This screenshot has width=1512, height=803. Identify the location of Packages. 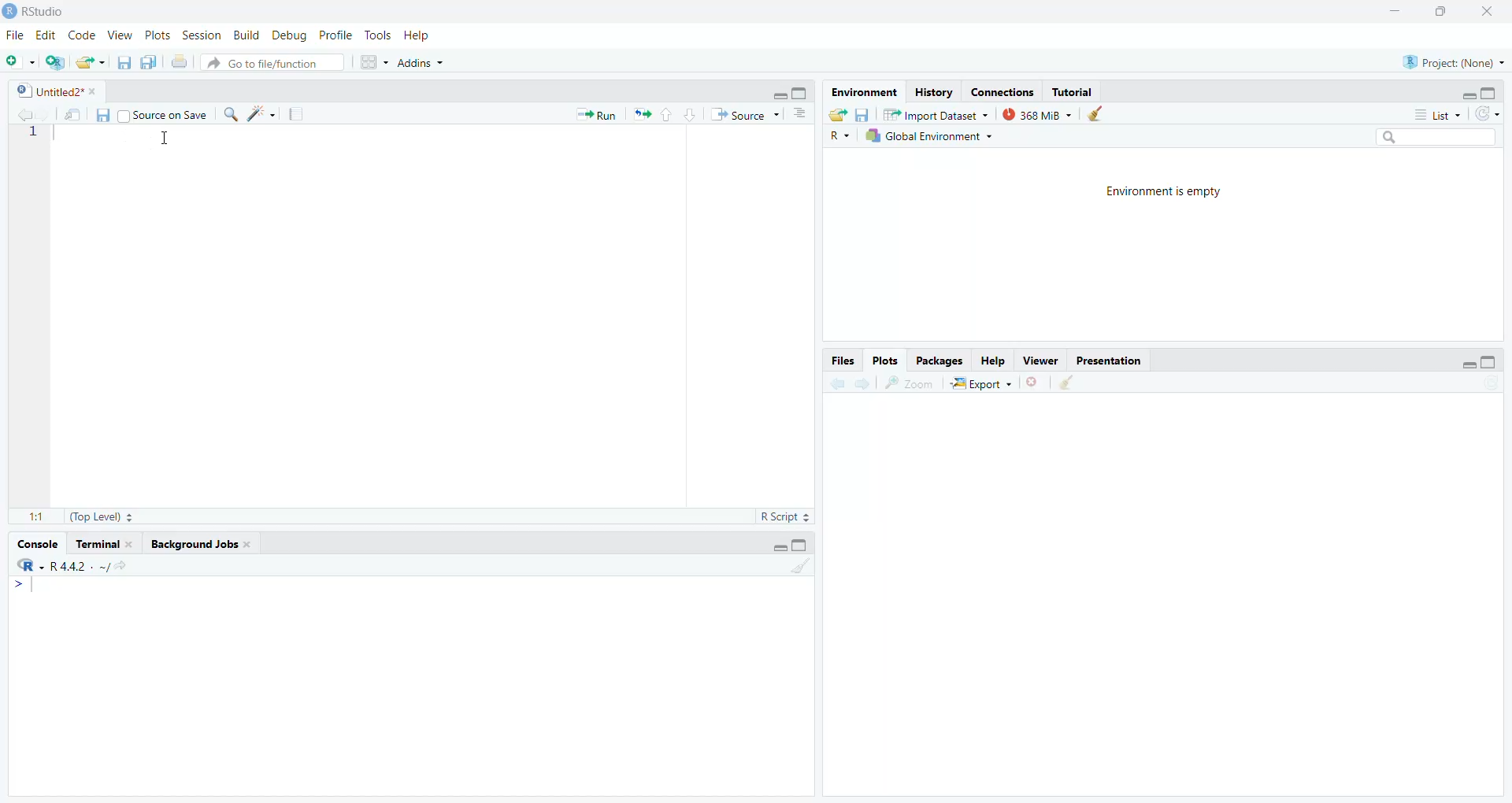
(937, 361).